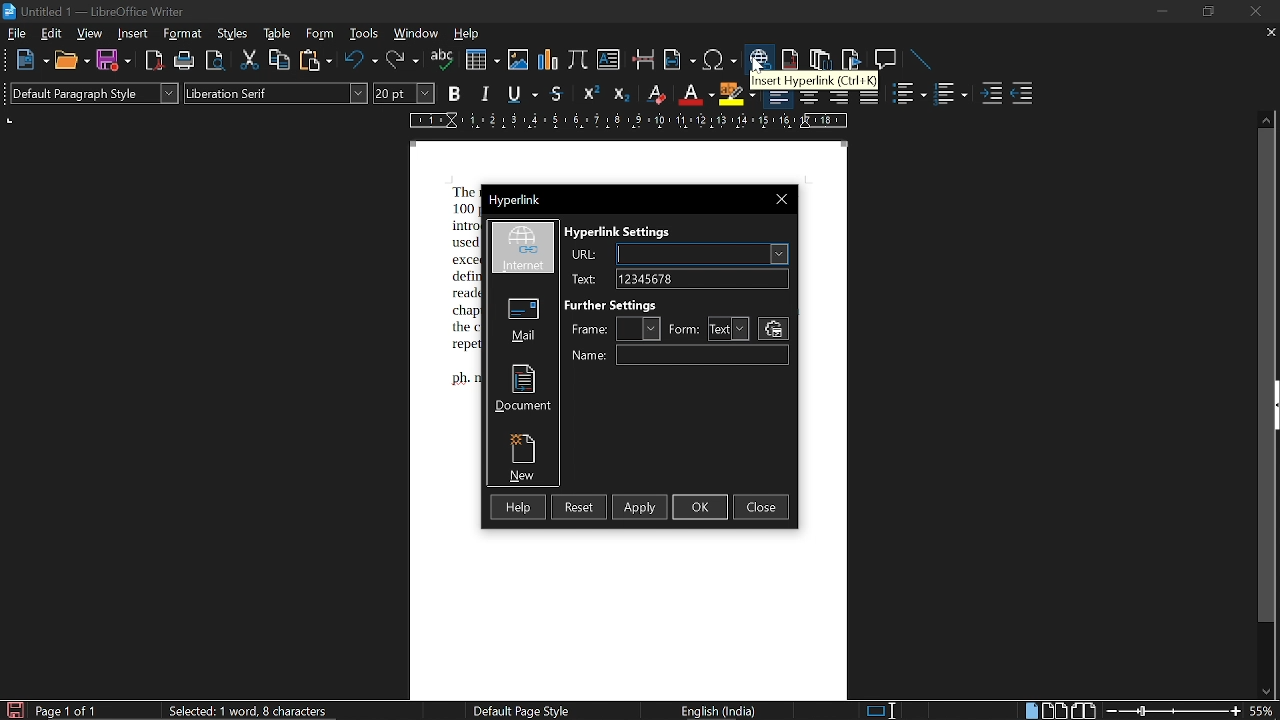  What do you see at coordinates (90, 35) in the screenshot?
I see `view` at bounding box center [90, 35].